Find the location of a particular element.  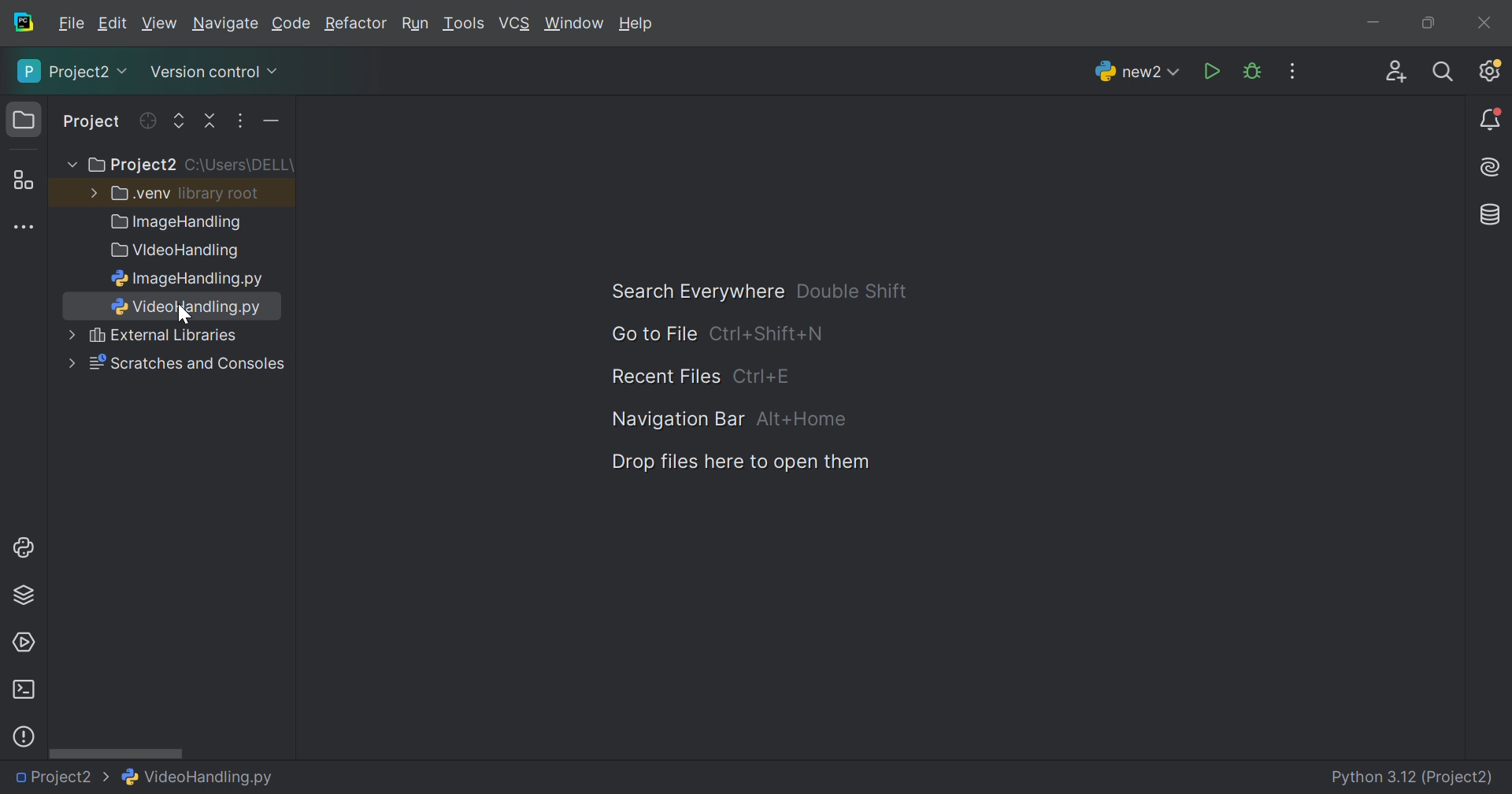

C:\Users\DELL\ is located at coordinates (239, 165).